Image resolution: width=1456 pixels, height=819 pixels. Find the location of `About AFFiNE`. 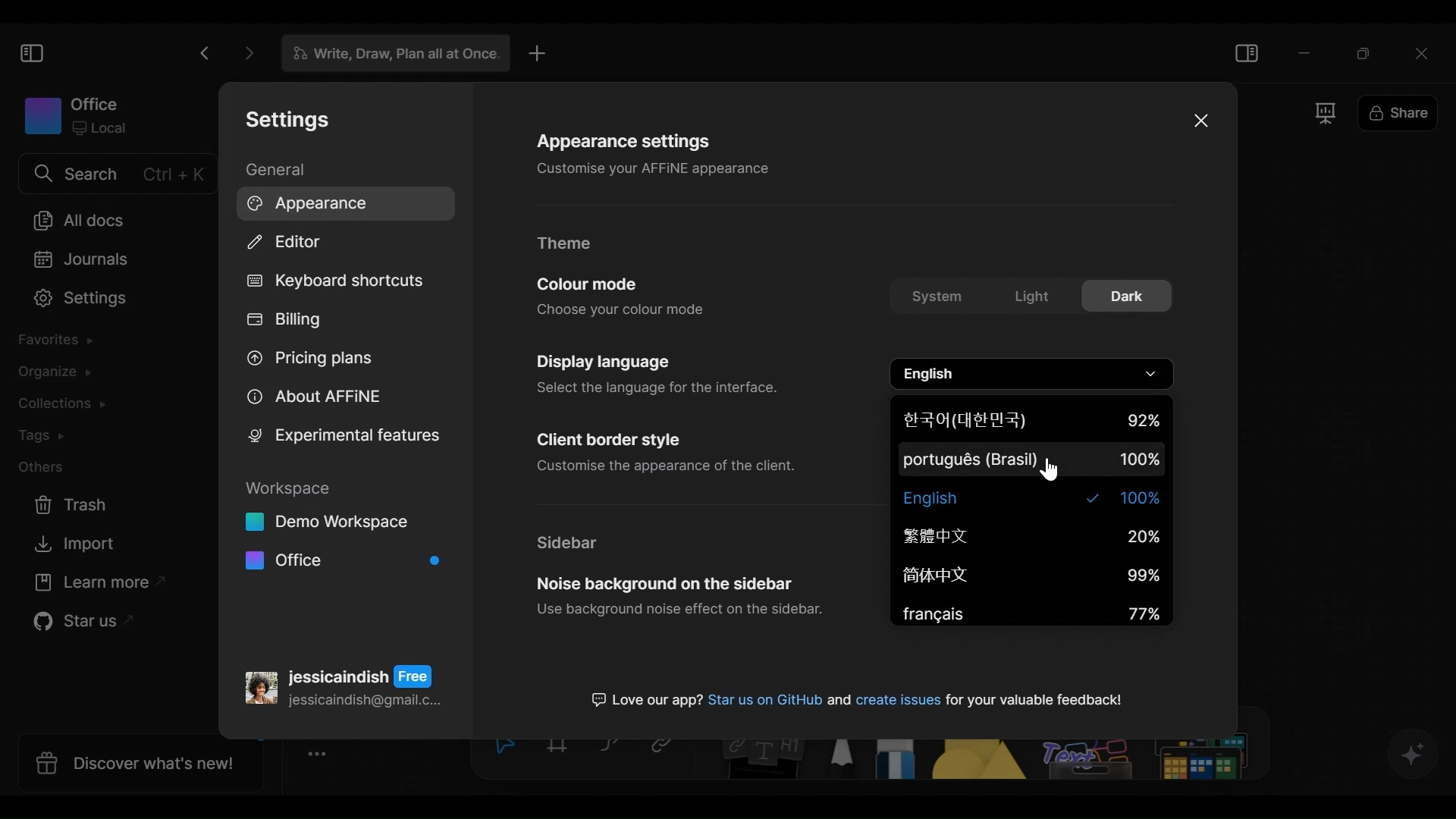

About AFFiNE is located at coordinates (312, 397).